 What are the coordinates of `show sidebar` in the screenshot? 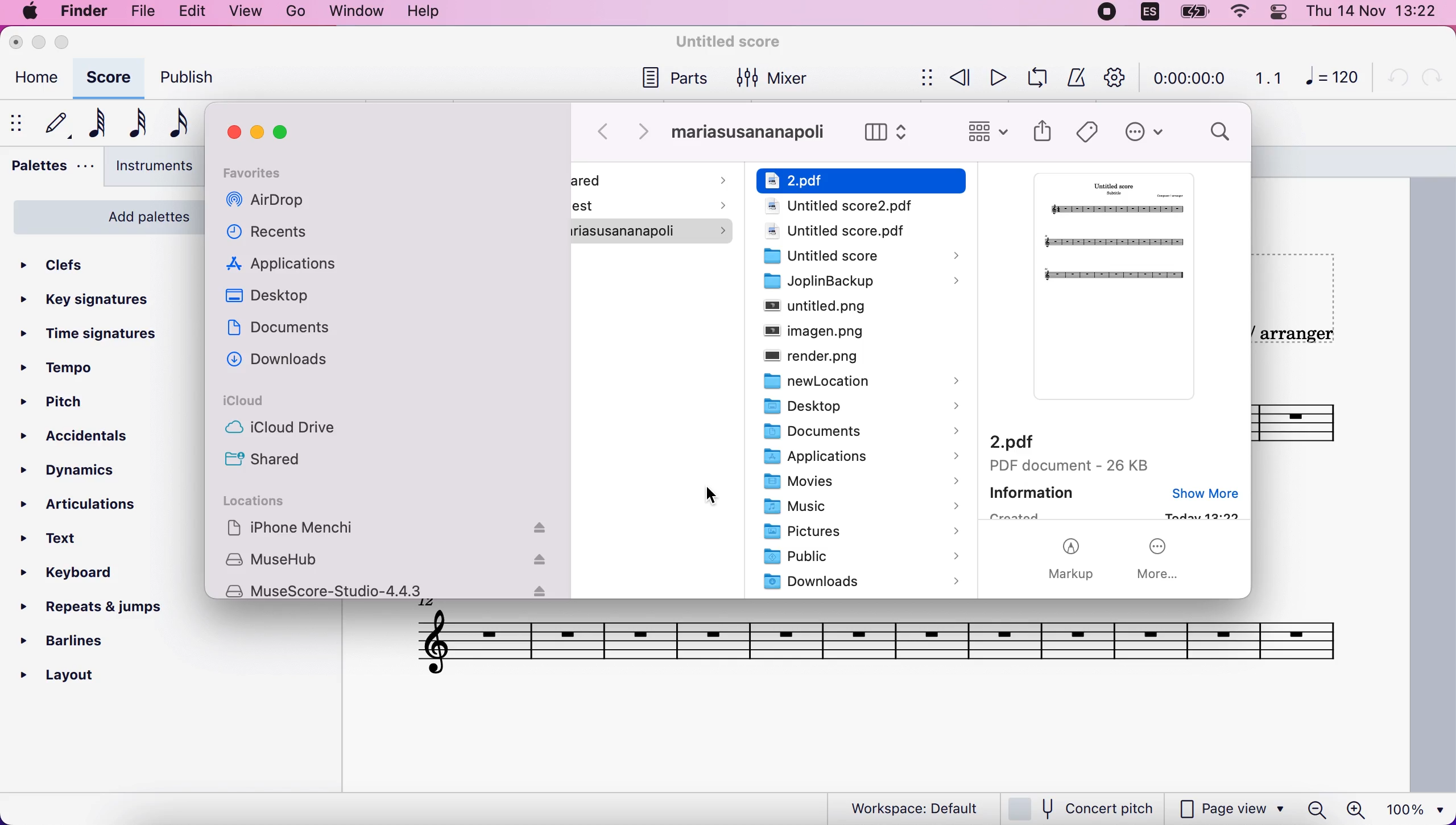 It's located at (890, 133).